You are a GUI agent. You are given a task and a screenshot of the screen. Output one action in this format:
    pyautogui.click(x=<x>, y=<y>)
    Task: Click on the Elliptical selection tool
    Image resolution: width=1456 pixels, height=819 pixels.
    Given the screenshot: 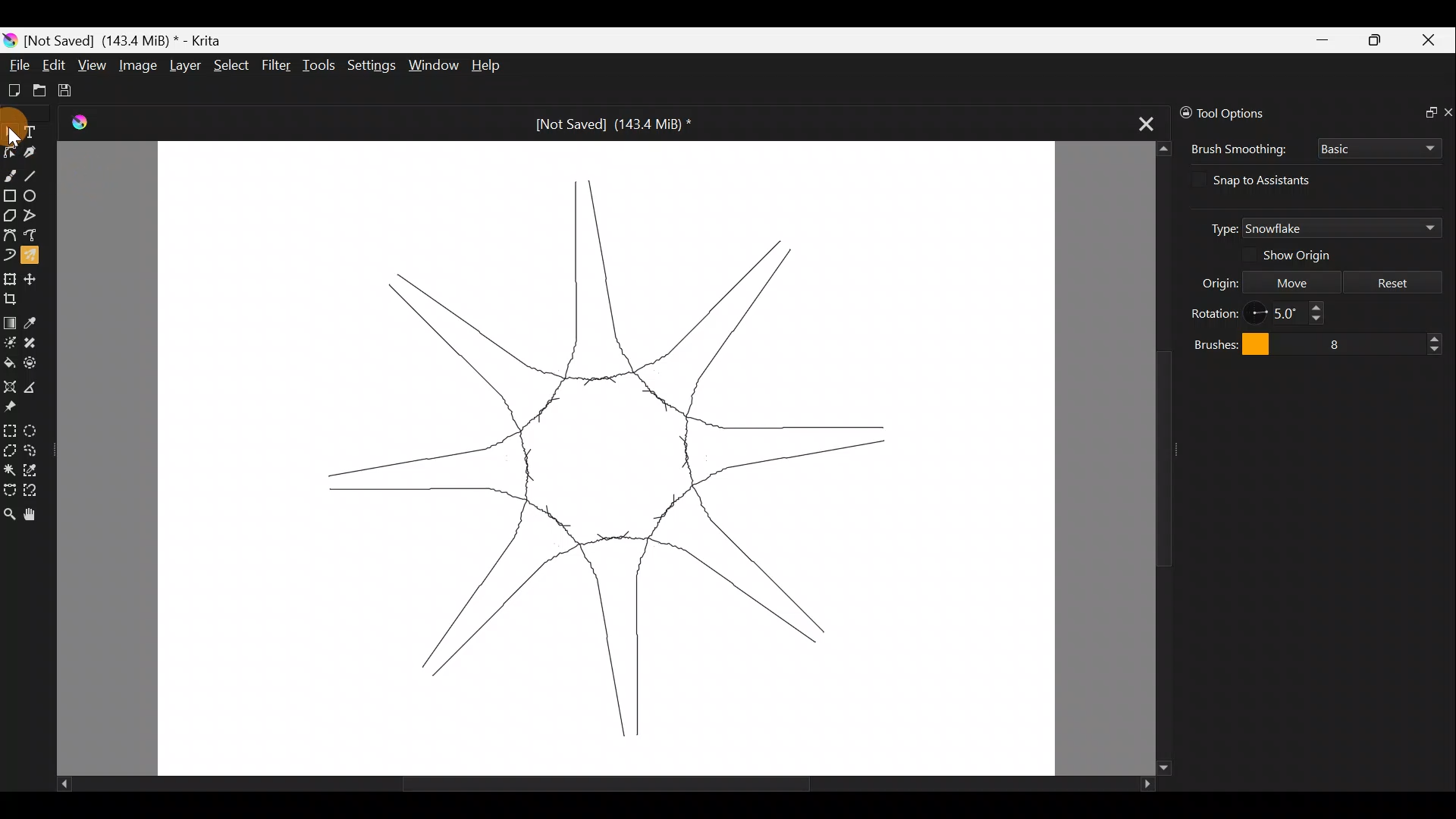 What is the action you would take?
    pyautogui.click(x=35, y=428)
    